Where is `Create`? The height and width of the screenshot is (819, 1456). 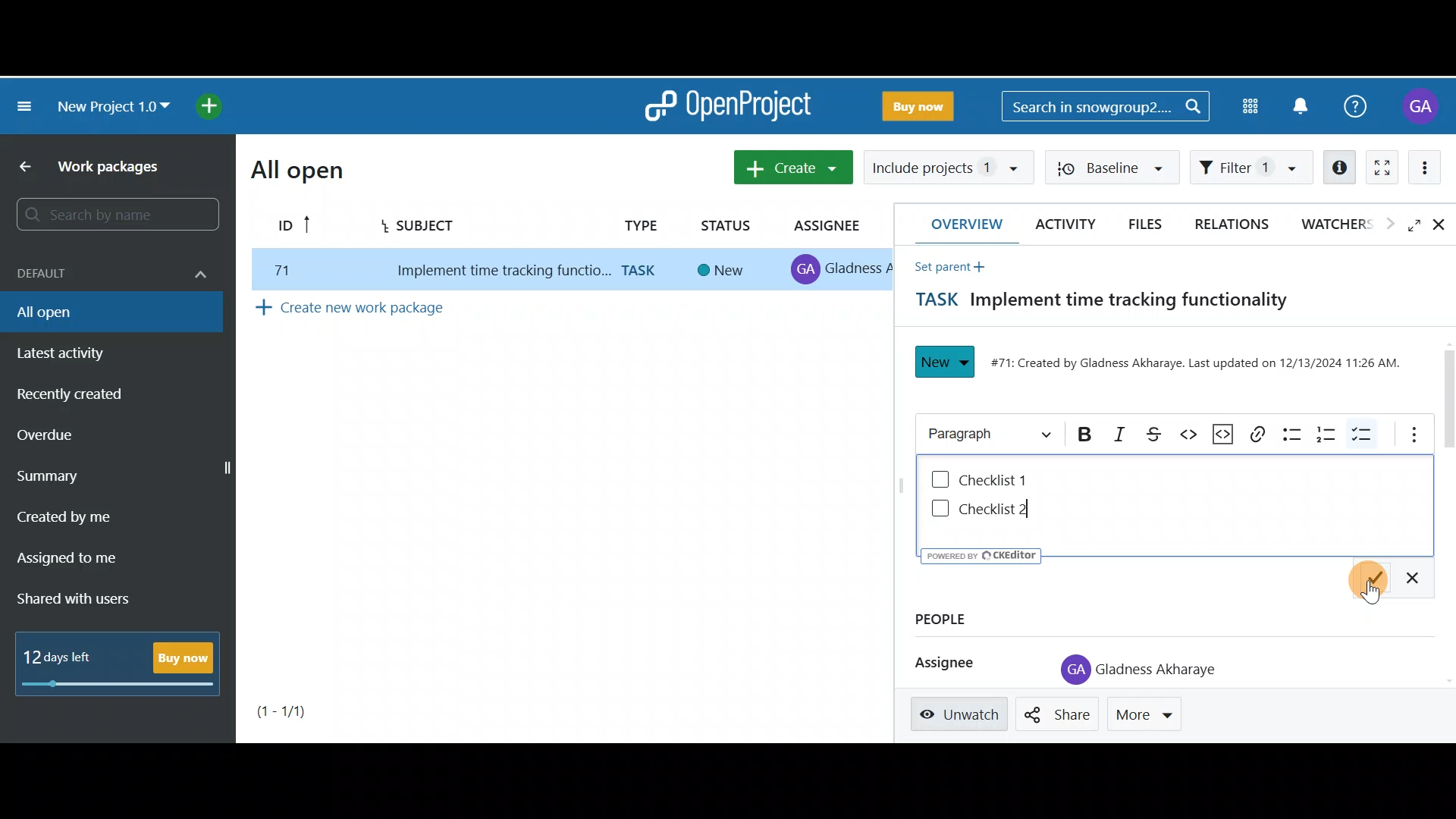
Create is located at coordinates (788, 165).